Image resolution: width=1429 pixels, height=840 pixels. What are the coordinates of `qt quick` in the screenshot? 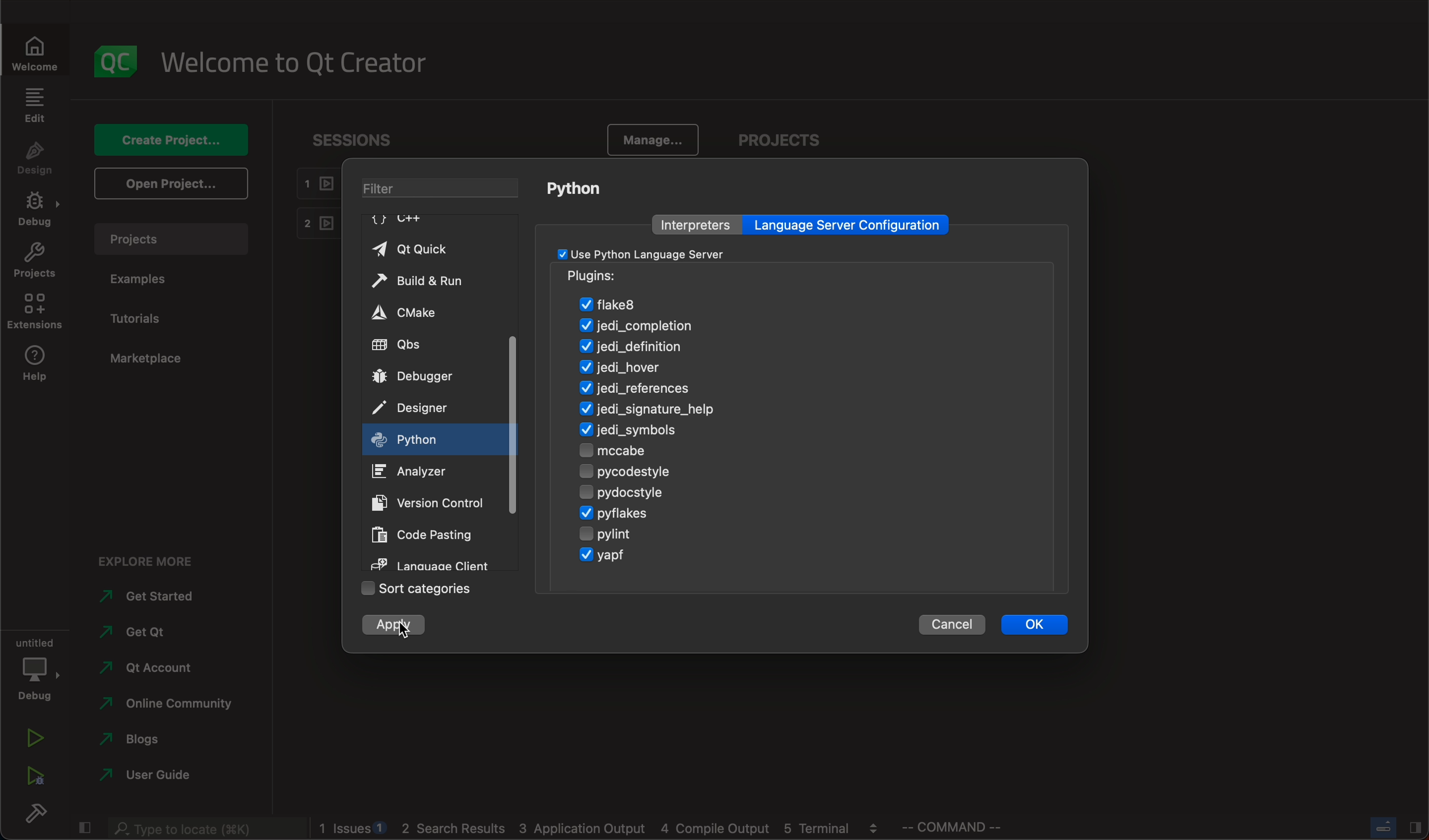 It's located at (427, 245).